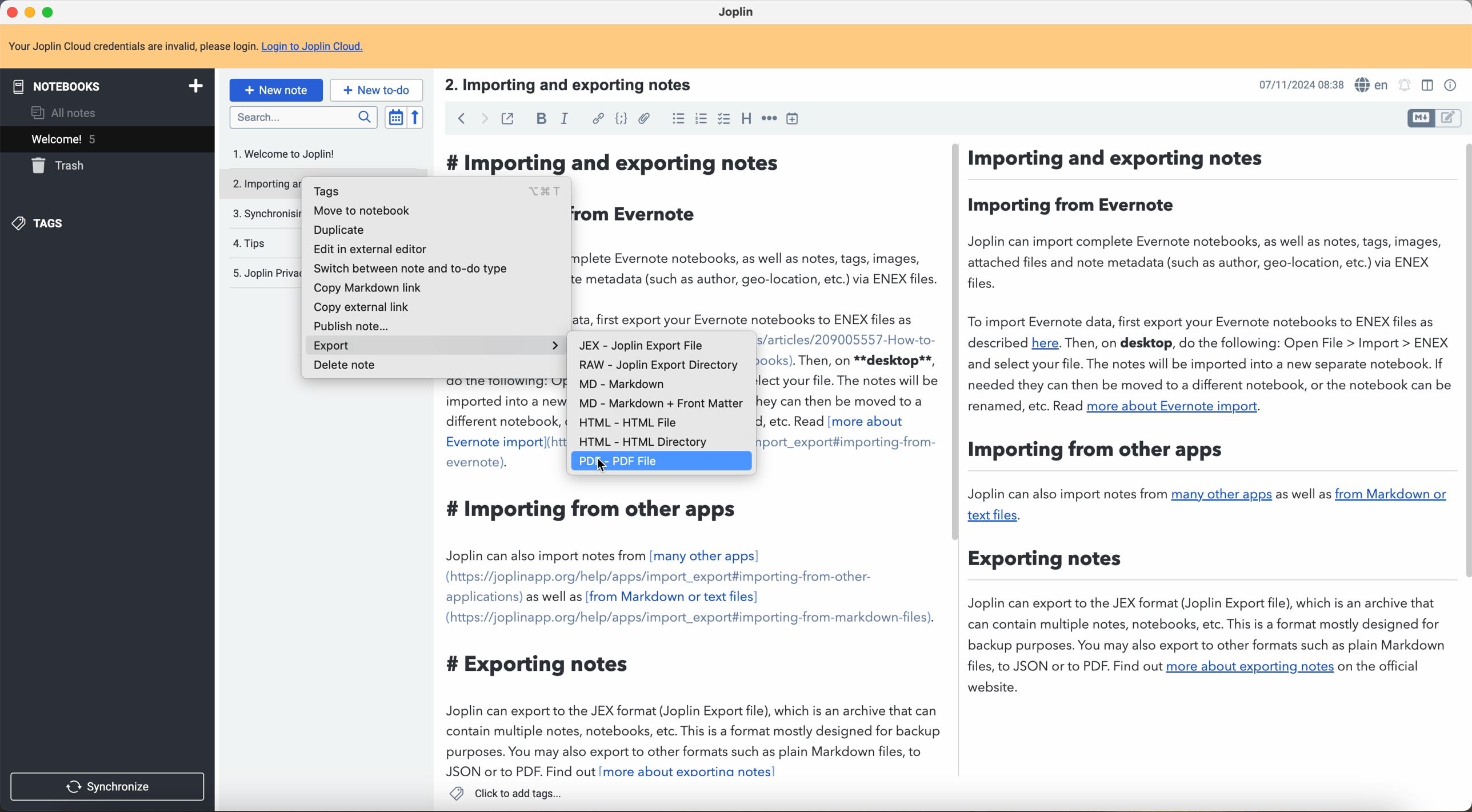  Describe the element at coordinates (303, 117) in the screenshot. I see `search bar` at that location.